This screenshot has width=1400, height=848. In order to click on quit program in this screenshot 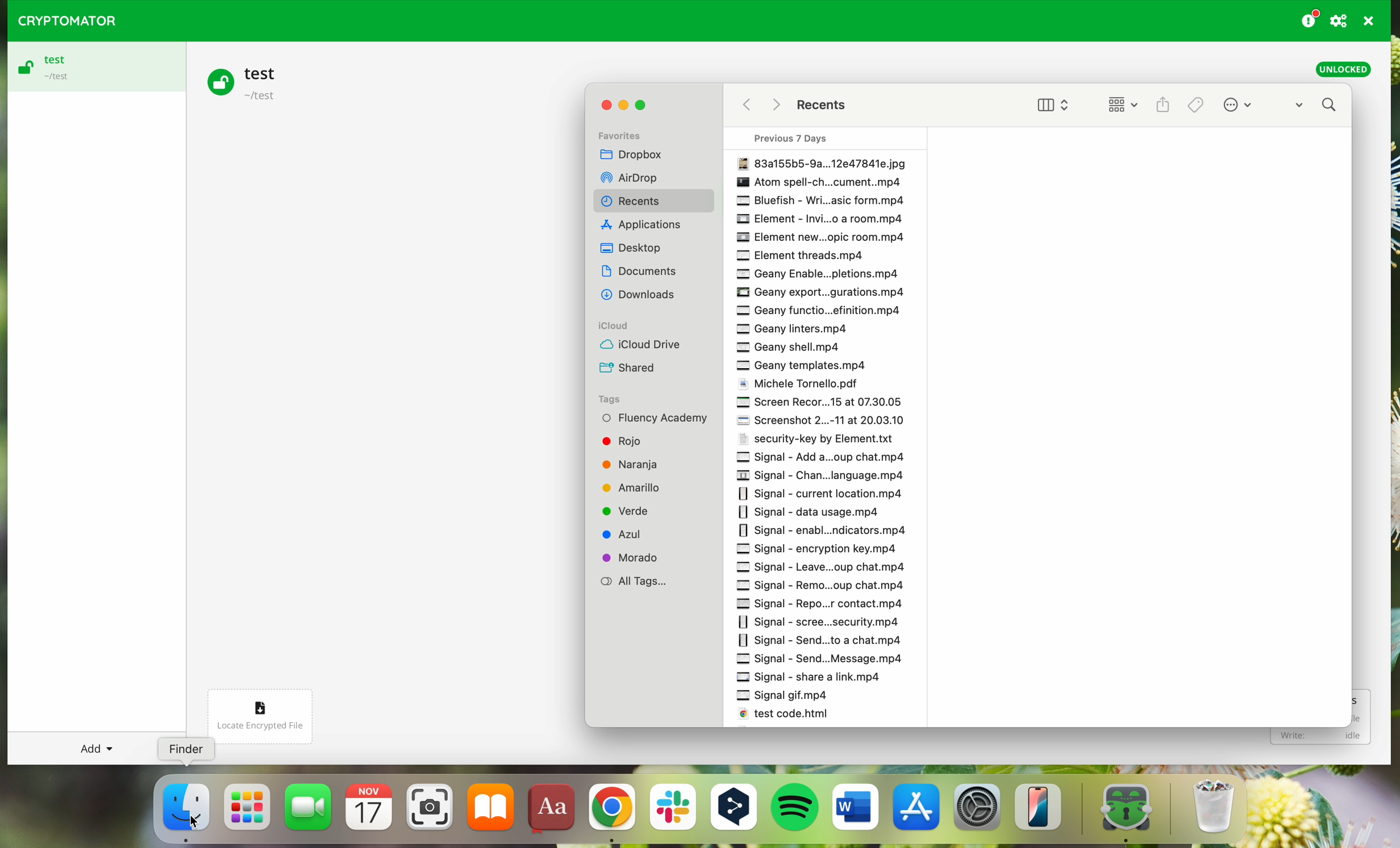, I will do `click(1369, 21)`.